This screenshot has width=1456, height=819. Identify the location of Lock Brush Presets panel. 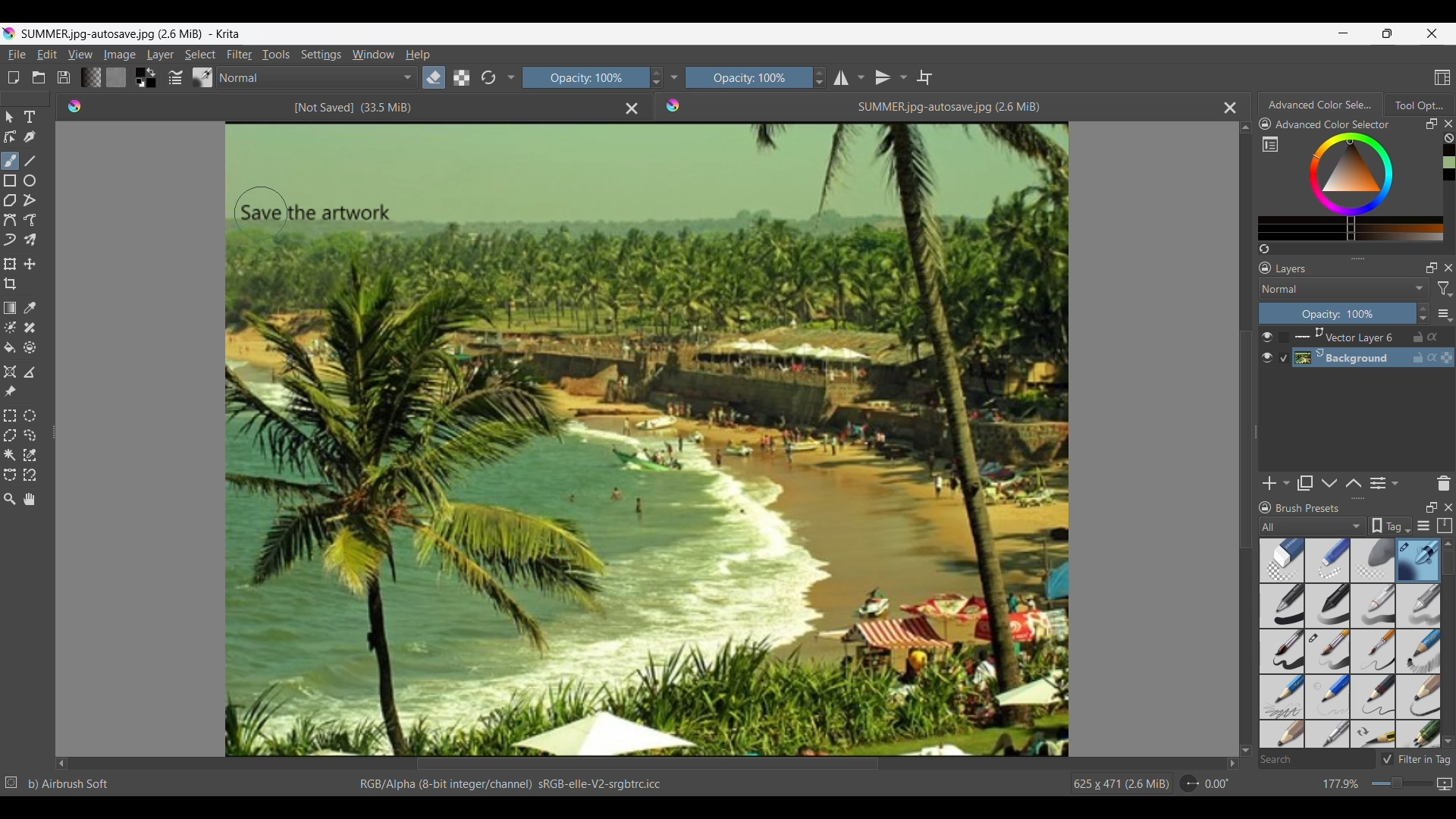
(1266, 510).